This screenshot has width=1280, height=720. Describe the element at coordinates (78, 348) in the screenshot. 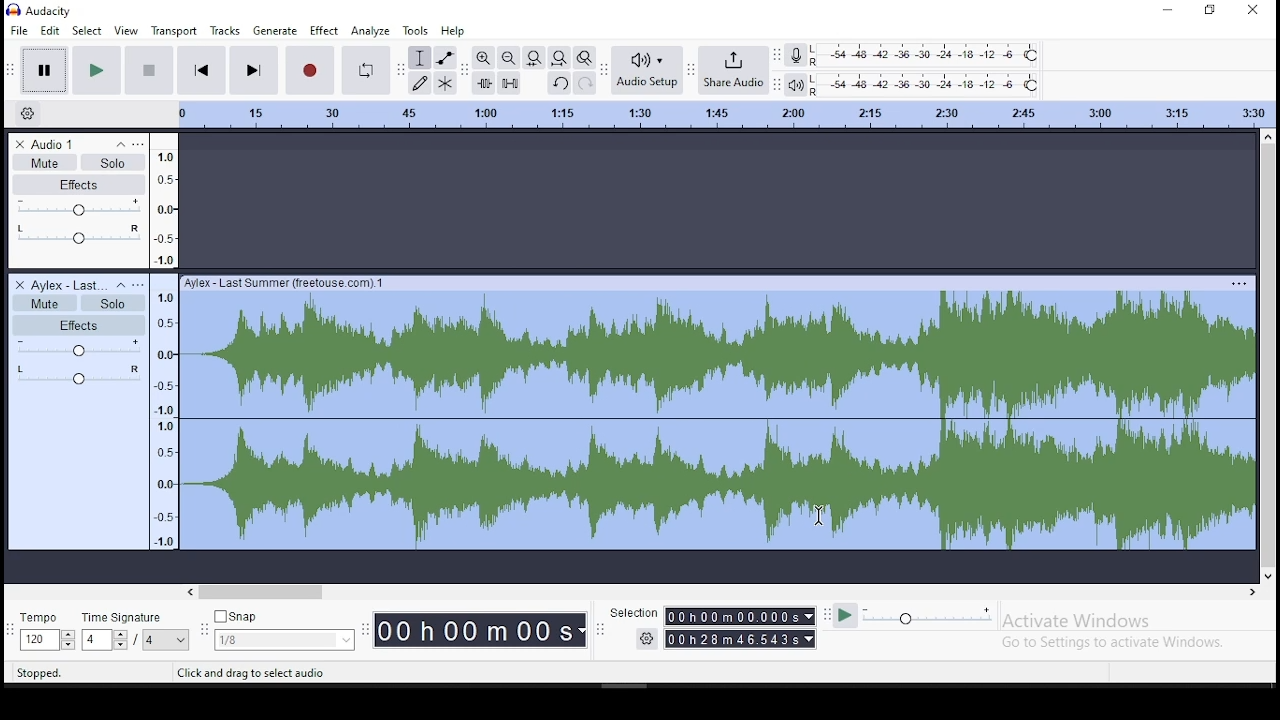

I see `volume` at that location.